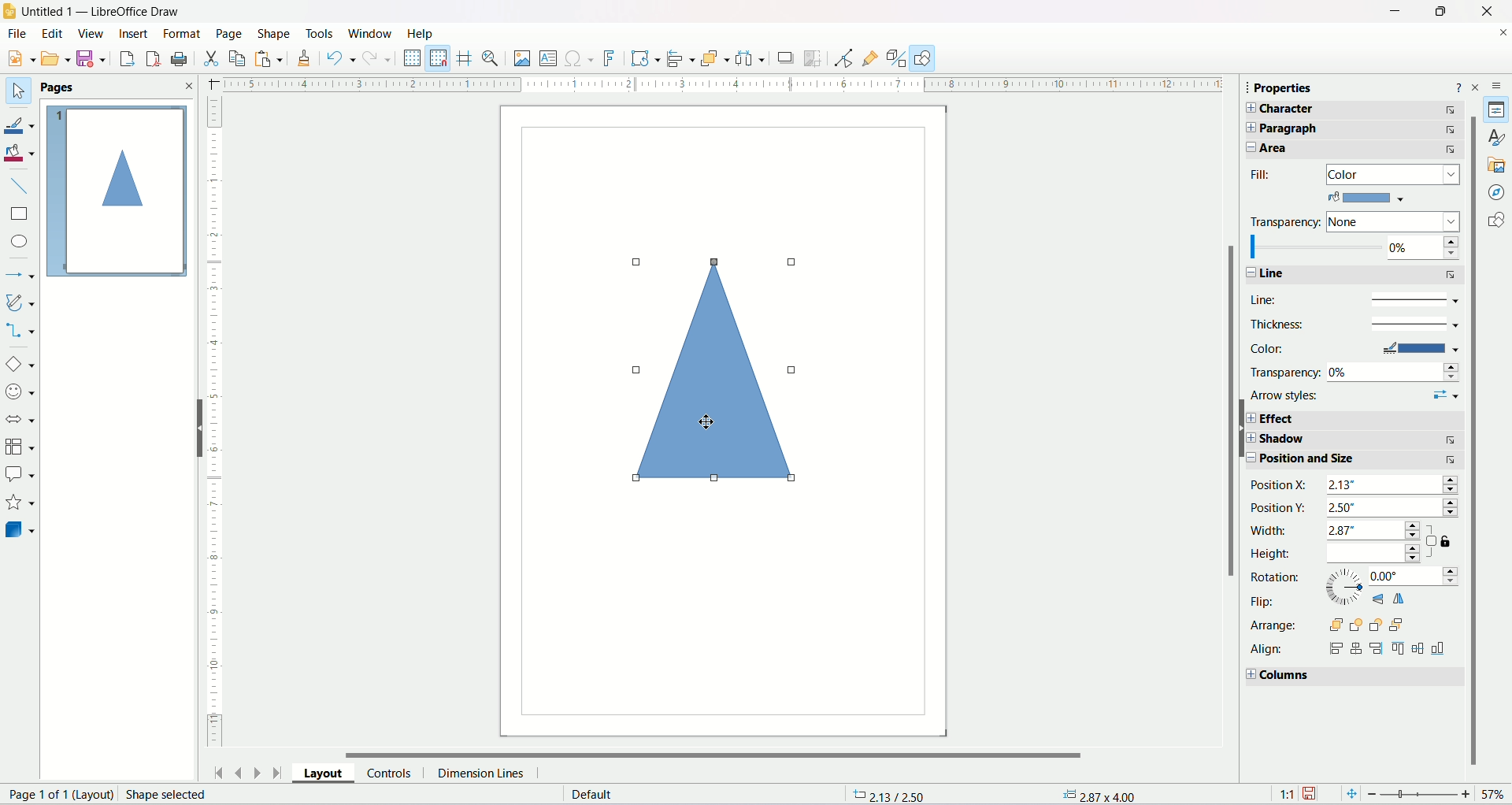 Image resolution: width=1512 pixels, height=805 pixels. I want to click on position Y, so click(1354, 509).